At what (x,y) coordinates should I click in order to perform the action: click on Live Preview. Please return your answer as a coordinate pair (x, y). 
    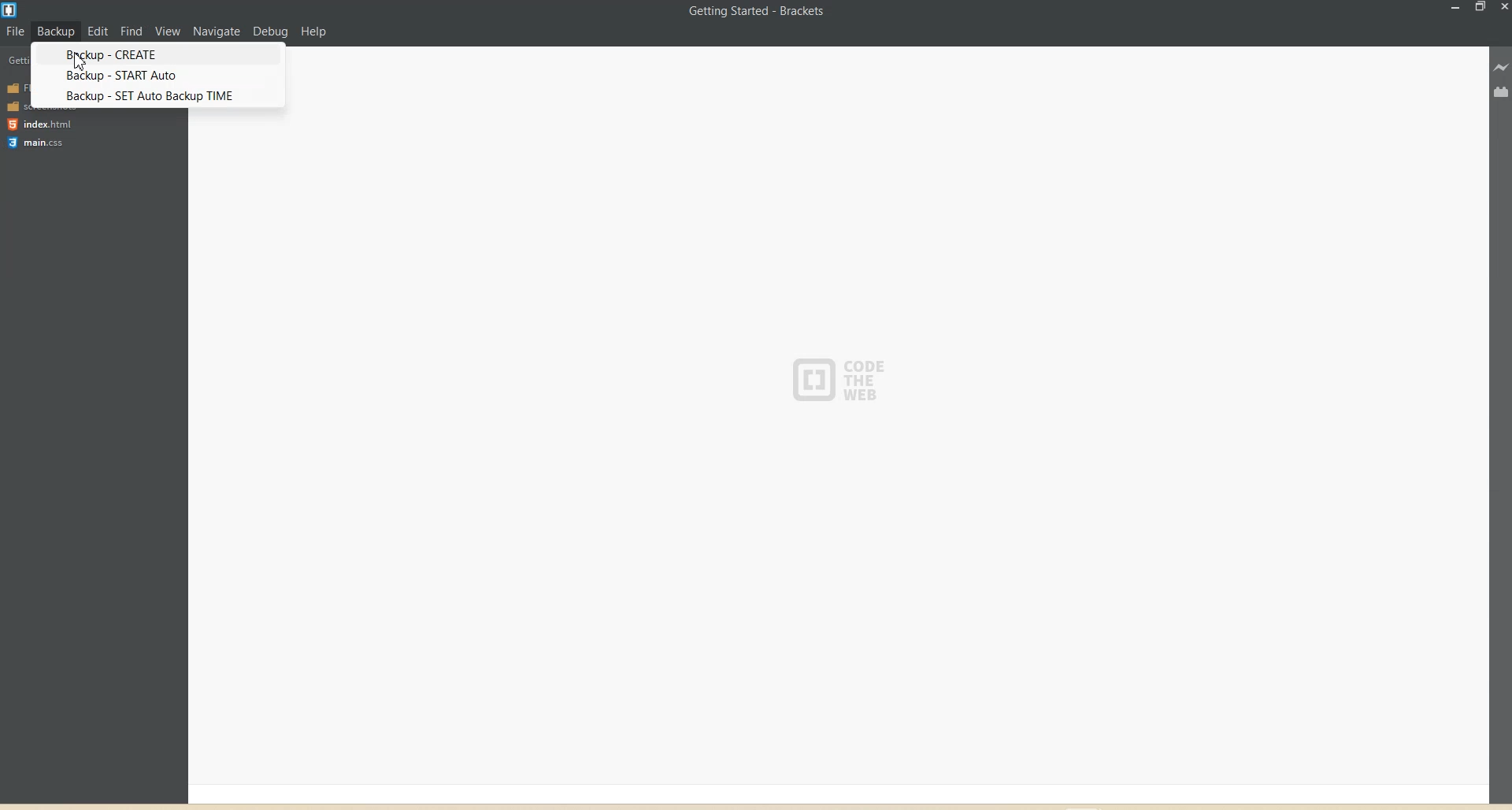
    Looking at the image, I should click on (1502, 68).